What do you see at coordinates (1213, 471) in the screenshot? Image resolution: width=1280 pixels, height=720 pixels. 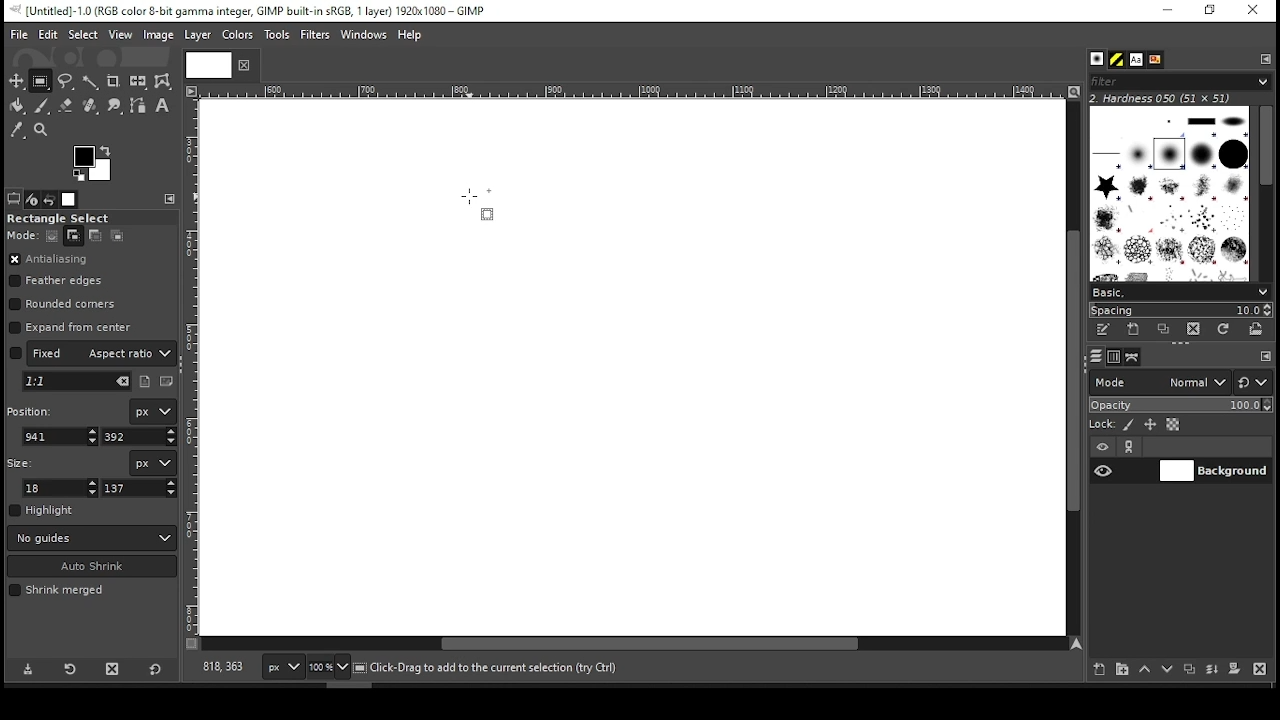 I see `layer ` at bounding box center [1213, 471].